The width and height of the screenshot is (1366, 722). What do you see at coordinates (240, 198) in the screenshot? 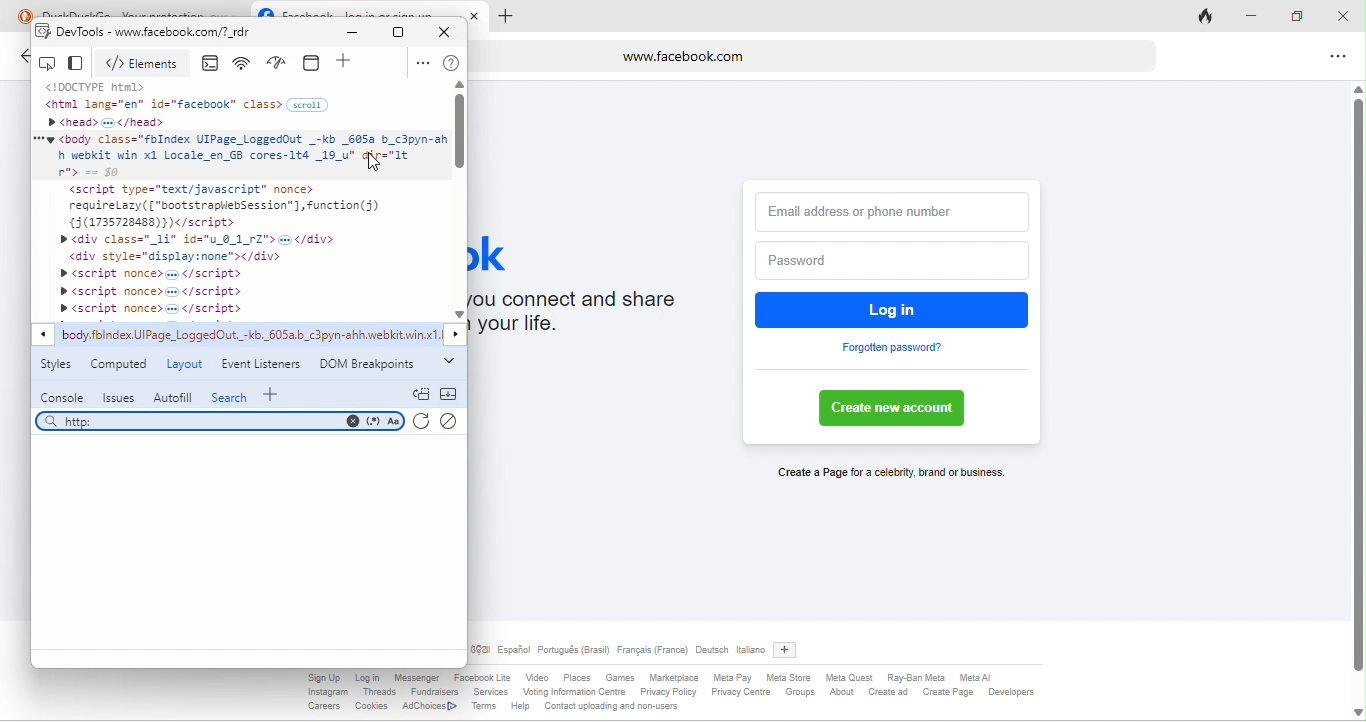
I see `<Doctype html><html lang="en" ide"facebook” class» (scrail» <head> ww </head>+ <body class="fbIndex UIPage_LoggedOut _-kb _605a b_c3pyn-ahh webkit win x1 Locale en_GB cores-1t4 _19u" "it> == 50<script types"text/Javascript” nonce>requireLazy(["bootstraphebsession*], function(3)13(1735728488)) </script>b <div class" _1i" ids"y_0_1_rZ"> cn </div><div styles"display:none"></div>» <script nonces as </script>» <script nonces a </script>» <script nonces a </script>` at bounding box center [240, 198].